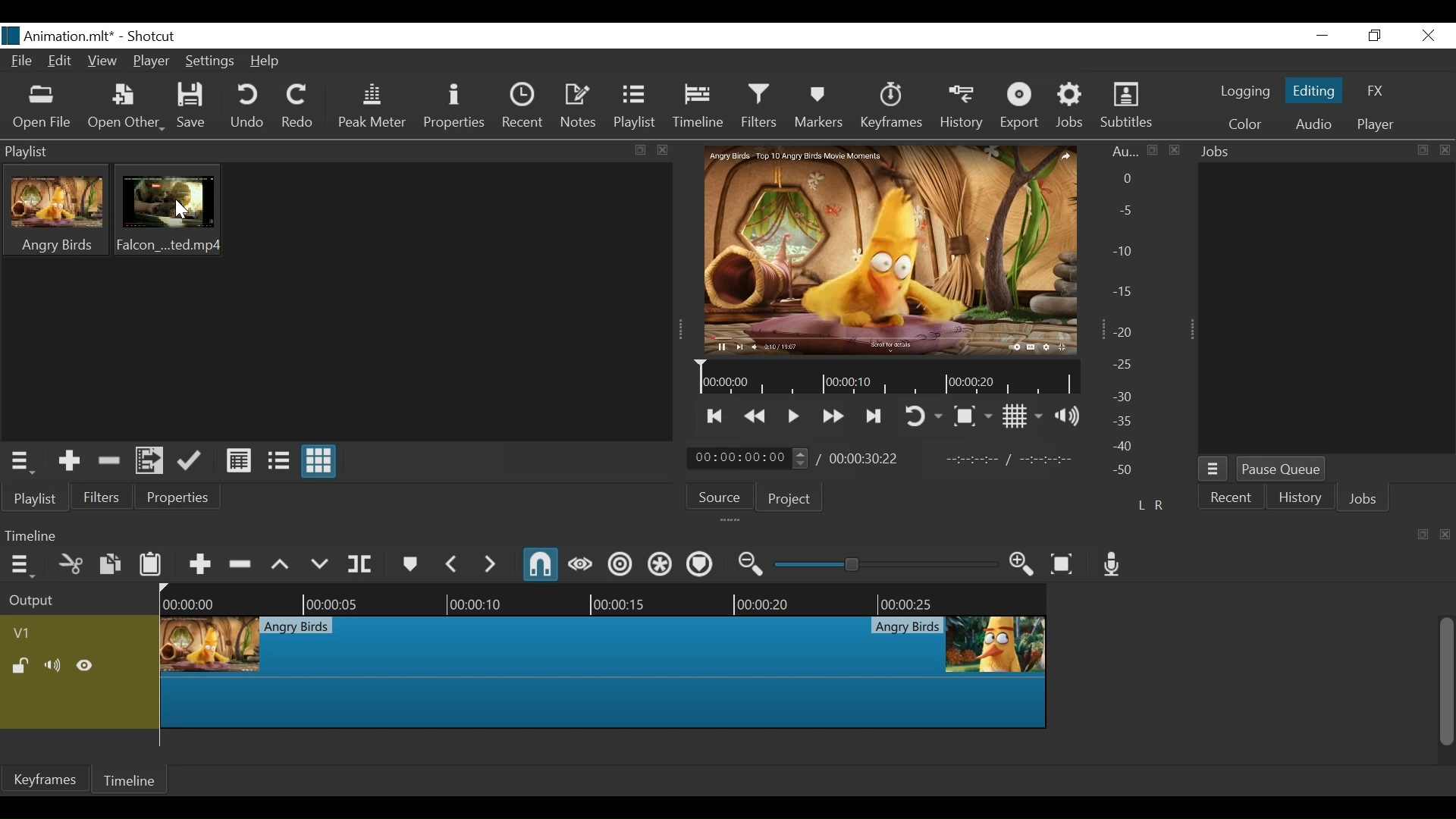 The image size is (1456, 819). I want to click on Audio, so click(1312, 124).